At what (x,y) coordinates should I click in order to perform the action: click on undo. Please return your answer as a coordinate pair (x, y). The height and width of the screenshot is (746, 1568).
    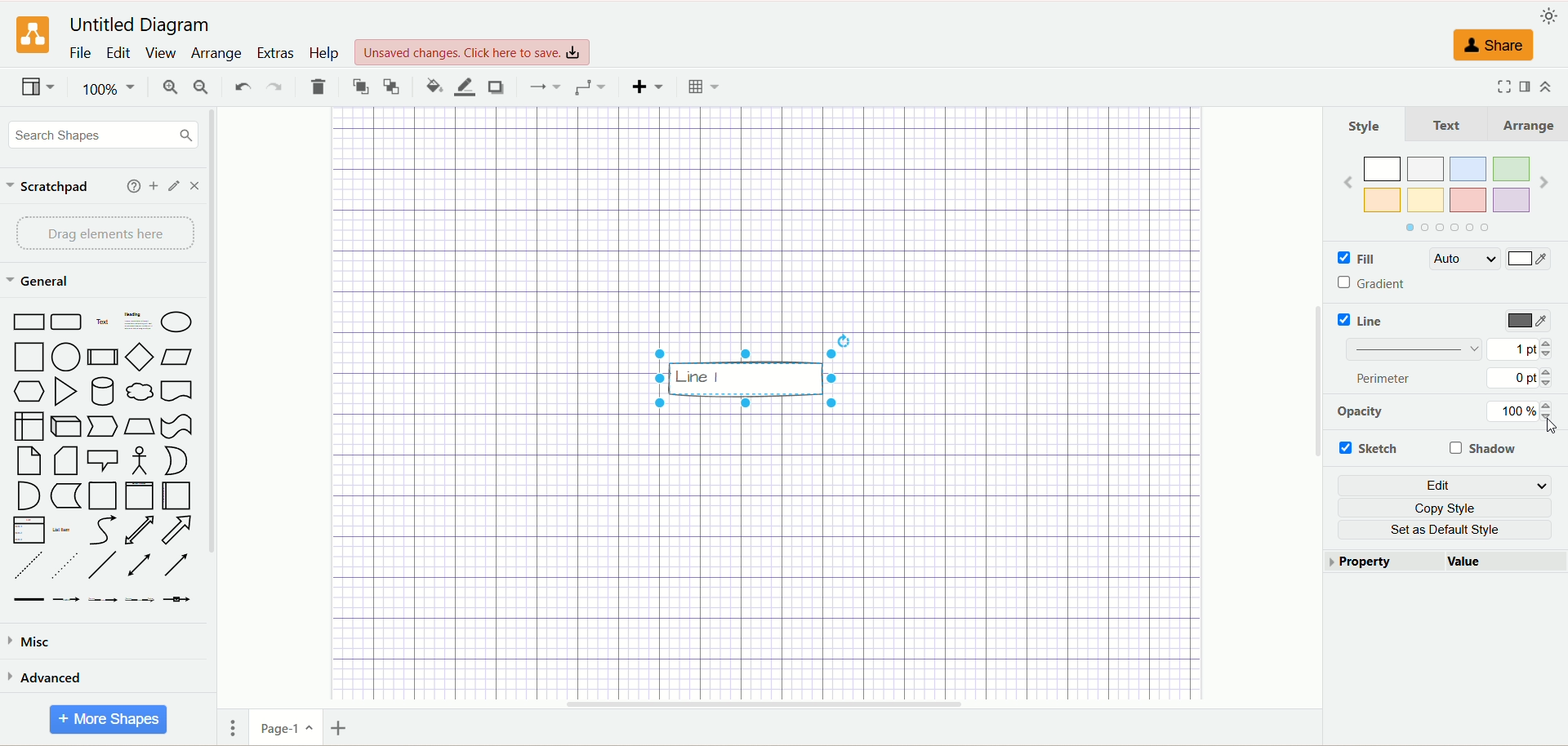
    Looking at the image, I should click on (239, 87).